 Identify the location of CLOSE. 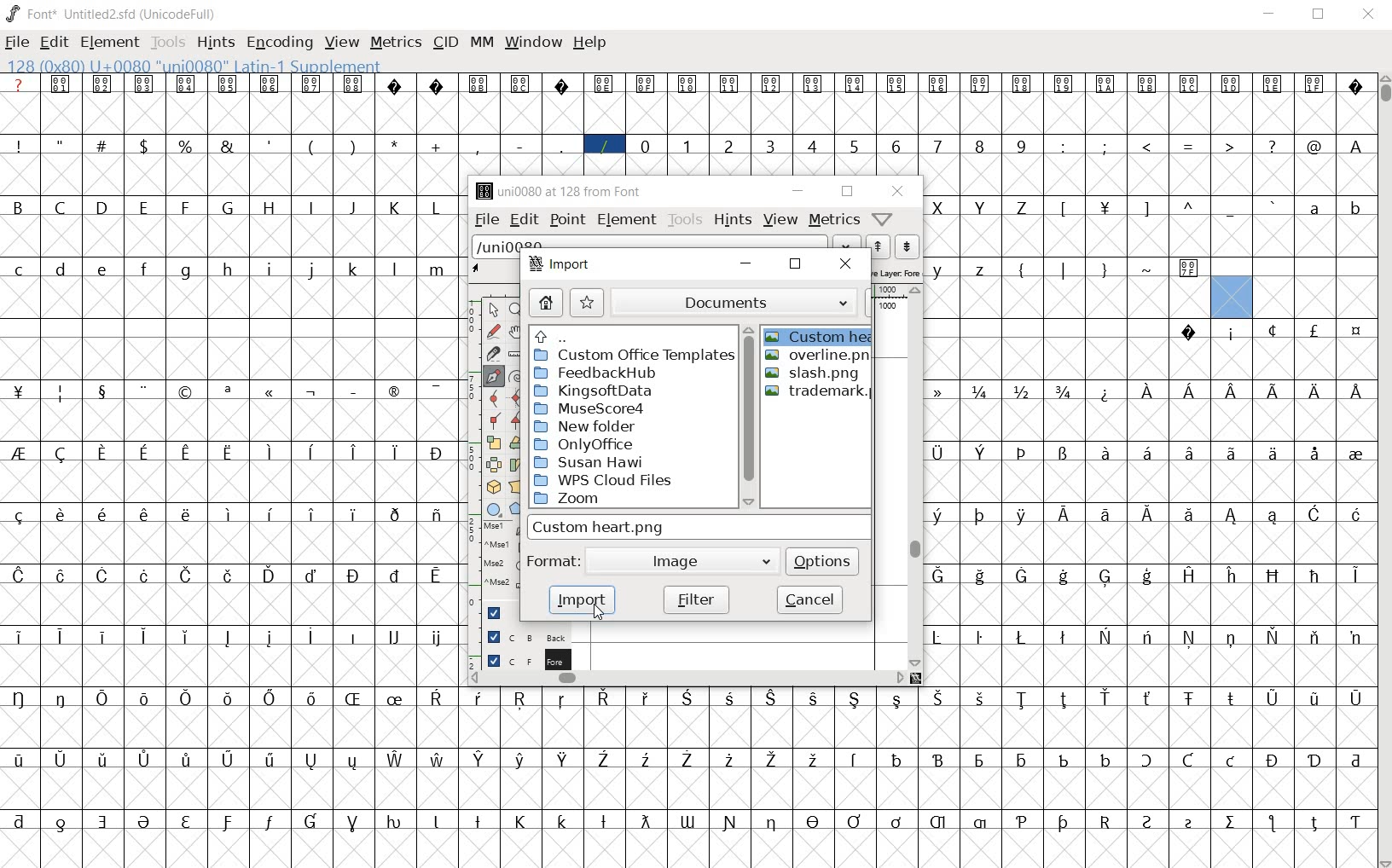
(1368, 15).